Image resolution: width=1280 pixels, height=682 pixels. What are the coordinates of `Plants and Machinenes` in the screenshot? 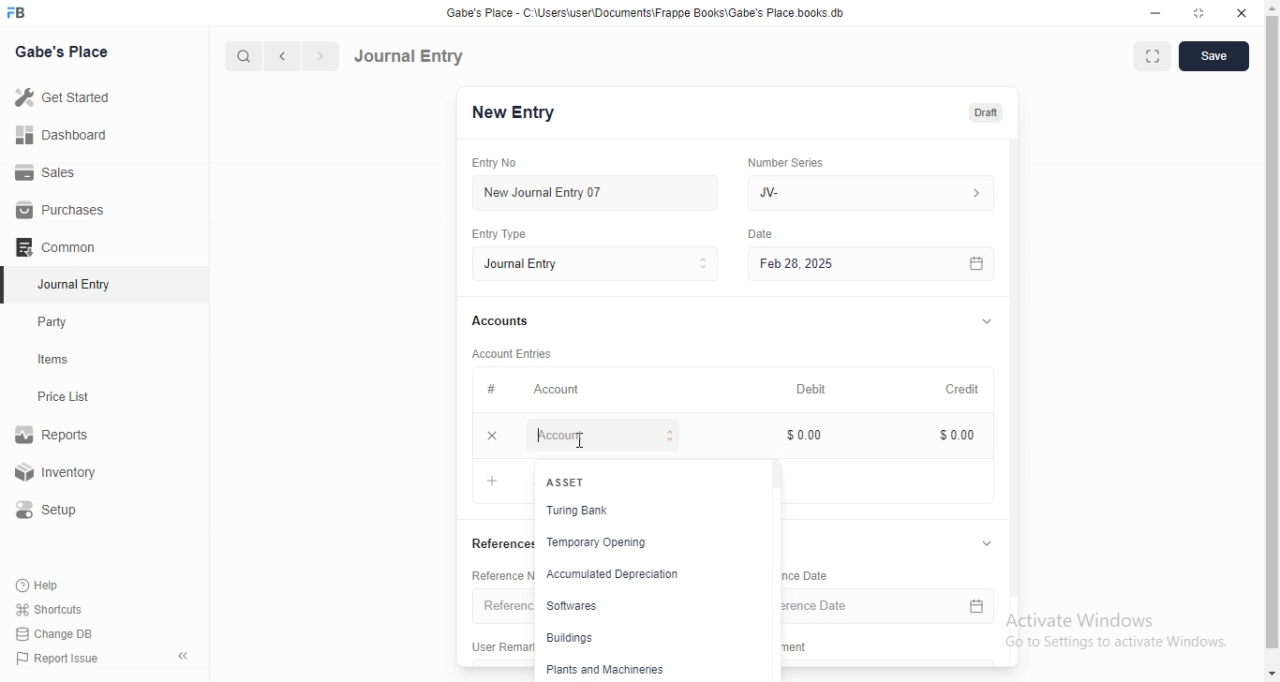 It's located at (605, 670).